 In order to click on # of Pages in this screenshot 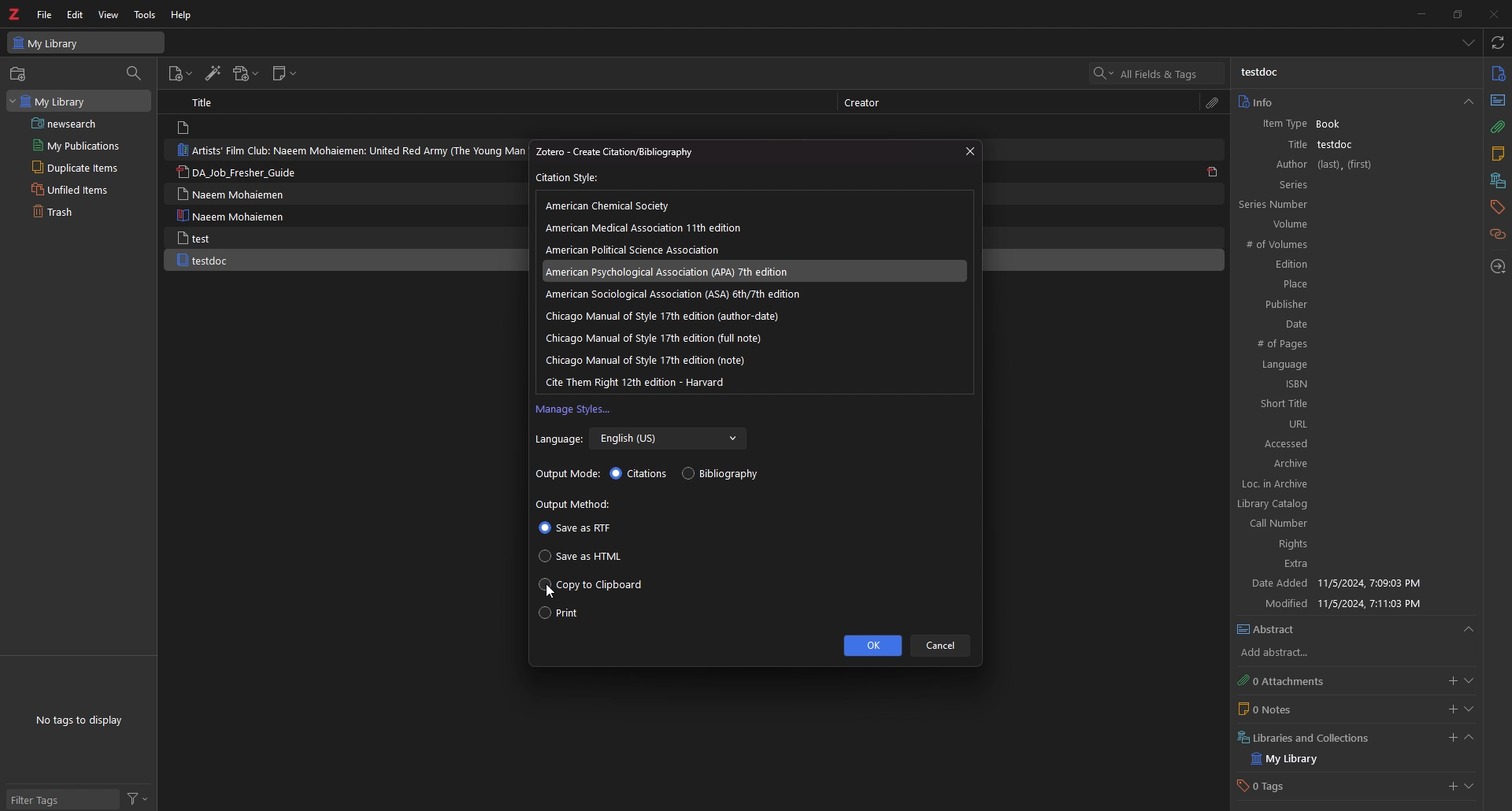, I will do `click(1348, 345)`.